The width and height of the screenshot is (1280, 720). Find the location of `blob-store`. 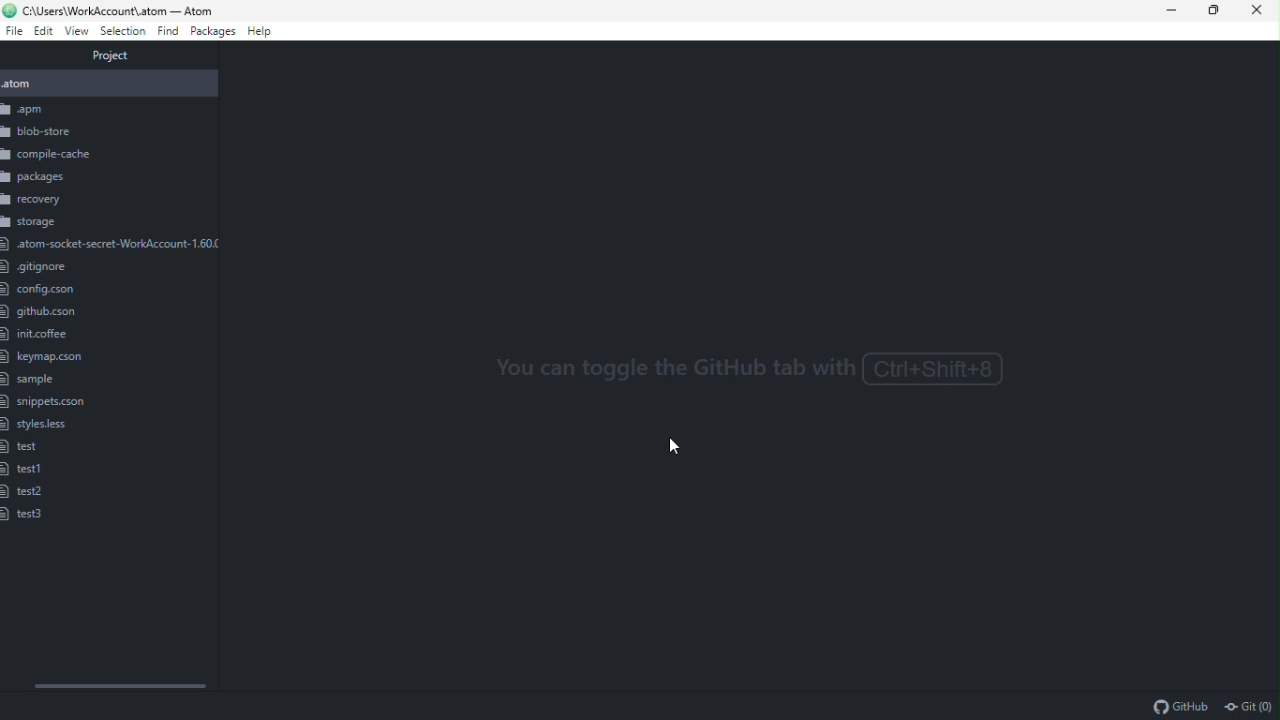

blob-store is located at coordinates (65, 130).